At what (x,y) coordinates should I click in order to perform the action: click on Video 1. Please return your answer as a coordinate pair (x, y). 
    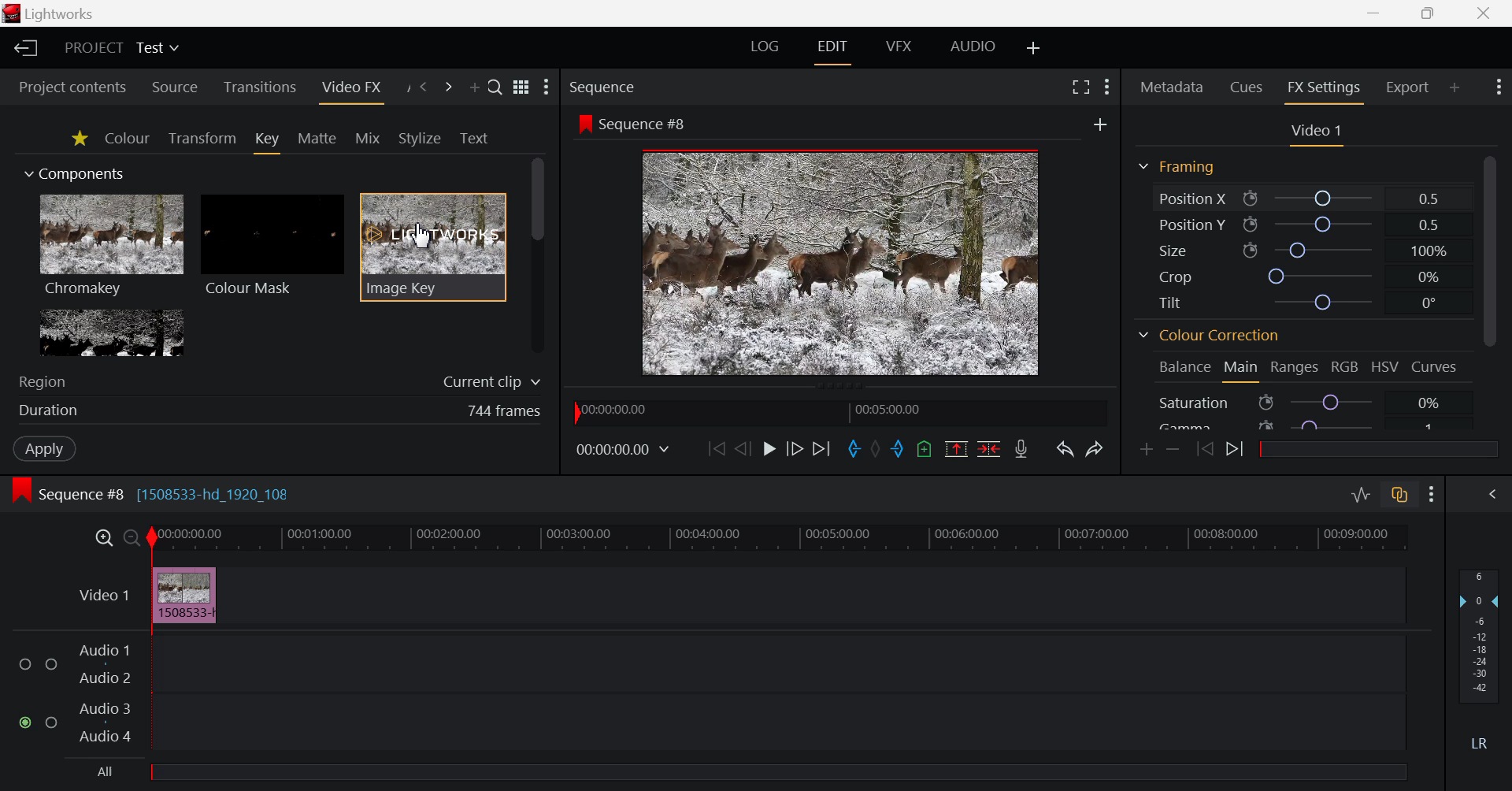
    Looking at the image, I should click on (104, 595).